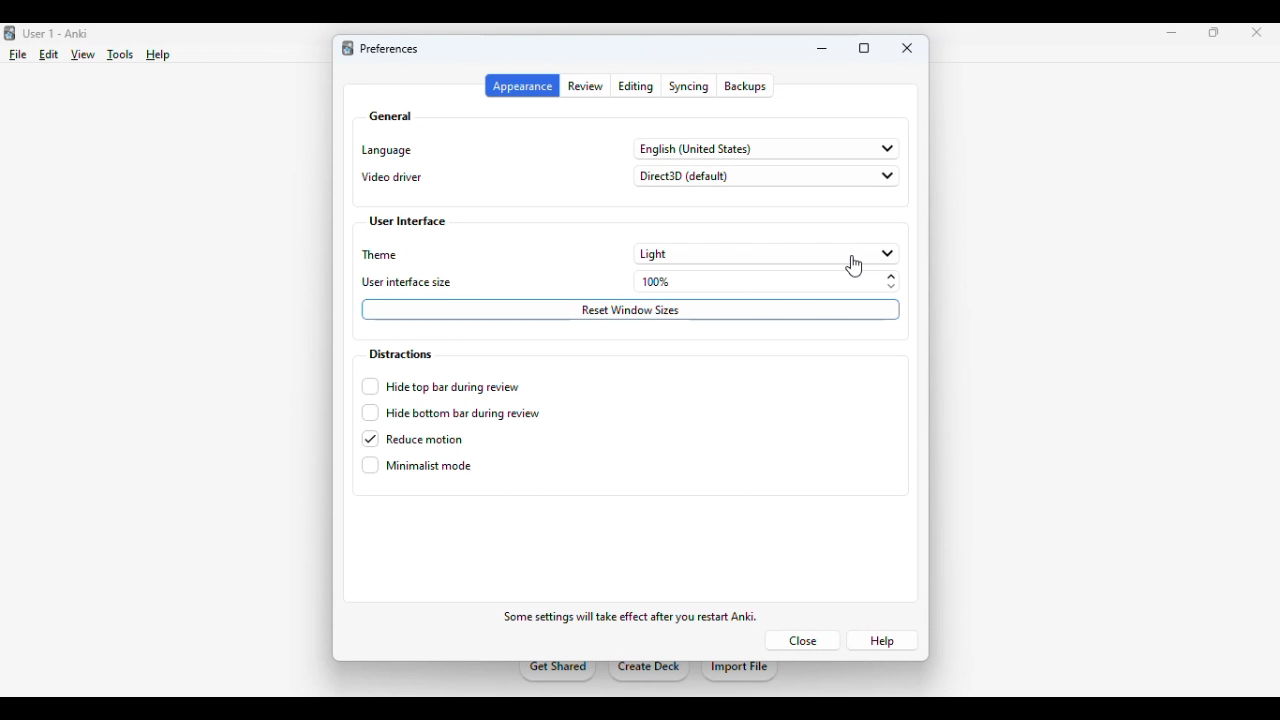  I want to click on file, so click(18, 55).